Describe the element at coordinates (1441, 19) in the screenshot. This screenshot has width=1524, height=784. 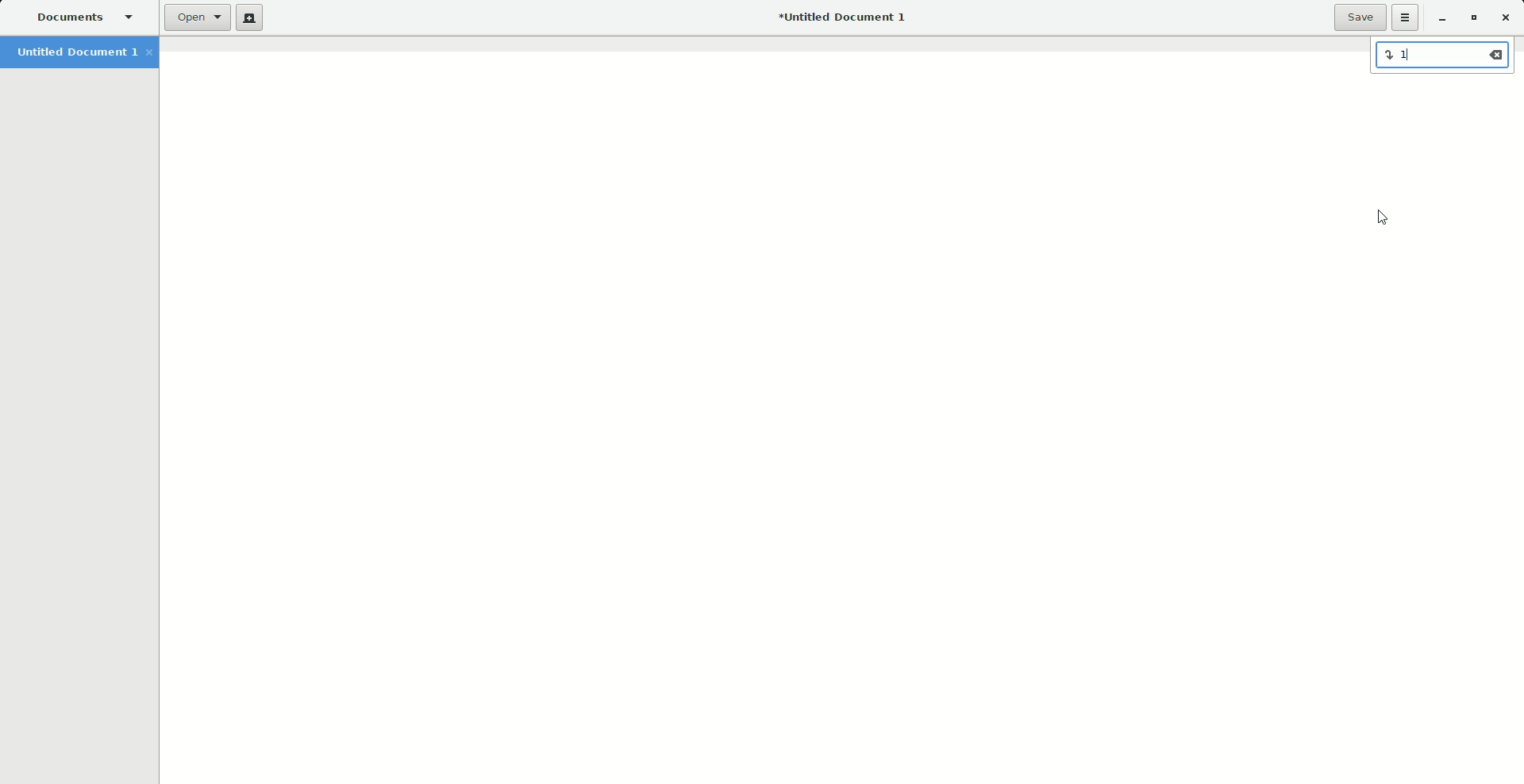
I see `Minimize` at that location.